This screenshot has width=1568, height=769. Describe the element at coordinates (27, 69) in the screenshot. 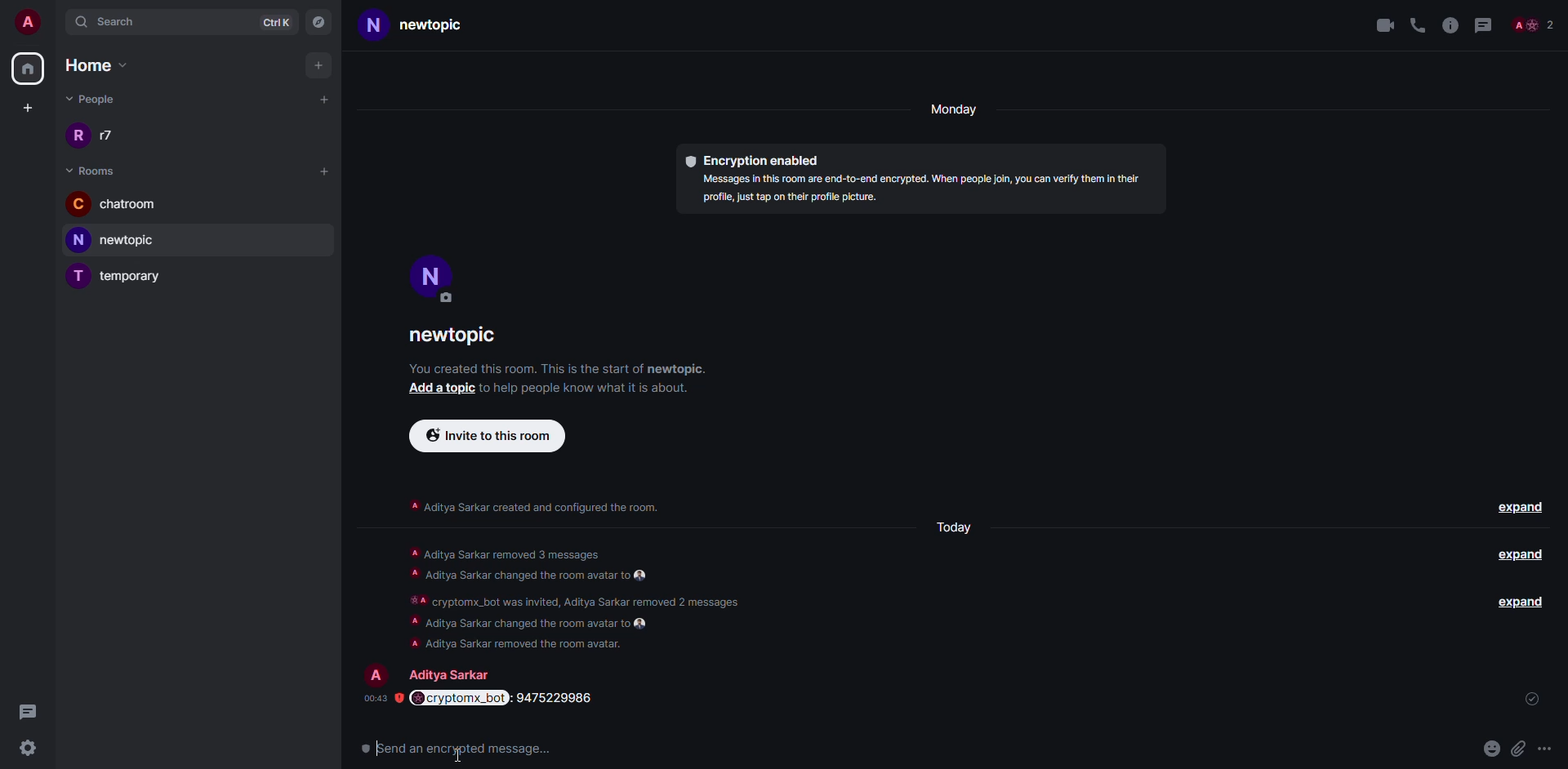

I see `home` at that location.